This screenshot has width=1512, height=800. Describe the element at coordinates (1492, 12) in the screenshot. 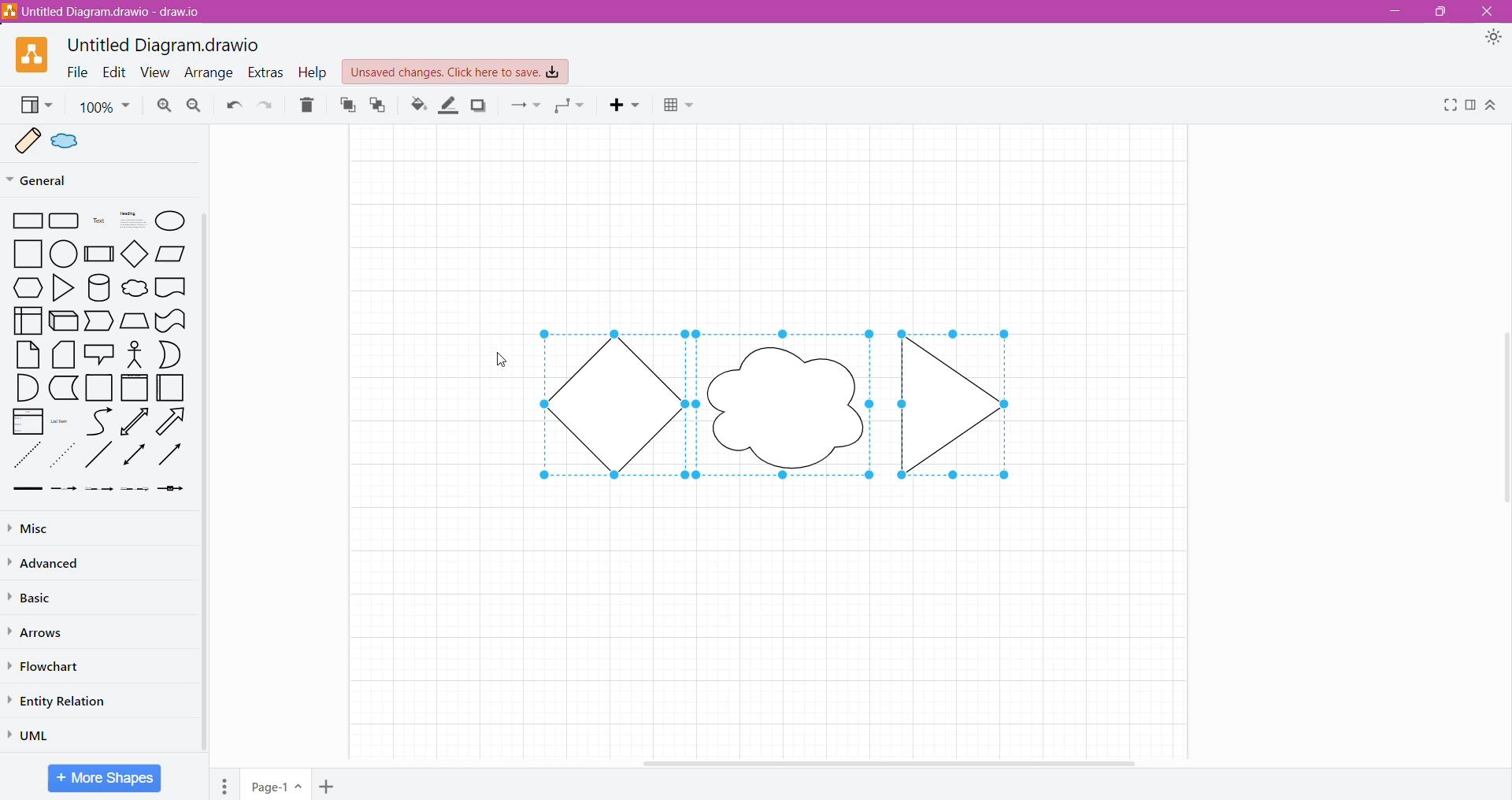

I see `Close` at that location.